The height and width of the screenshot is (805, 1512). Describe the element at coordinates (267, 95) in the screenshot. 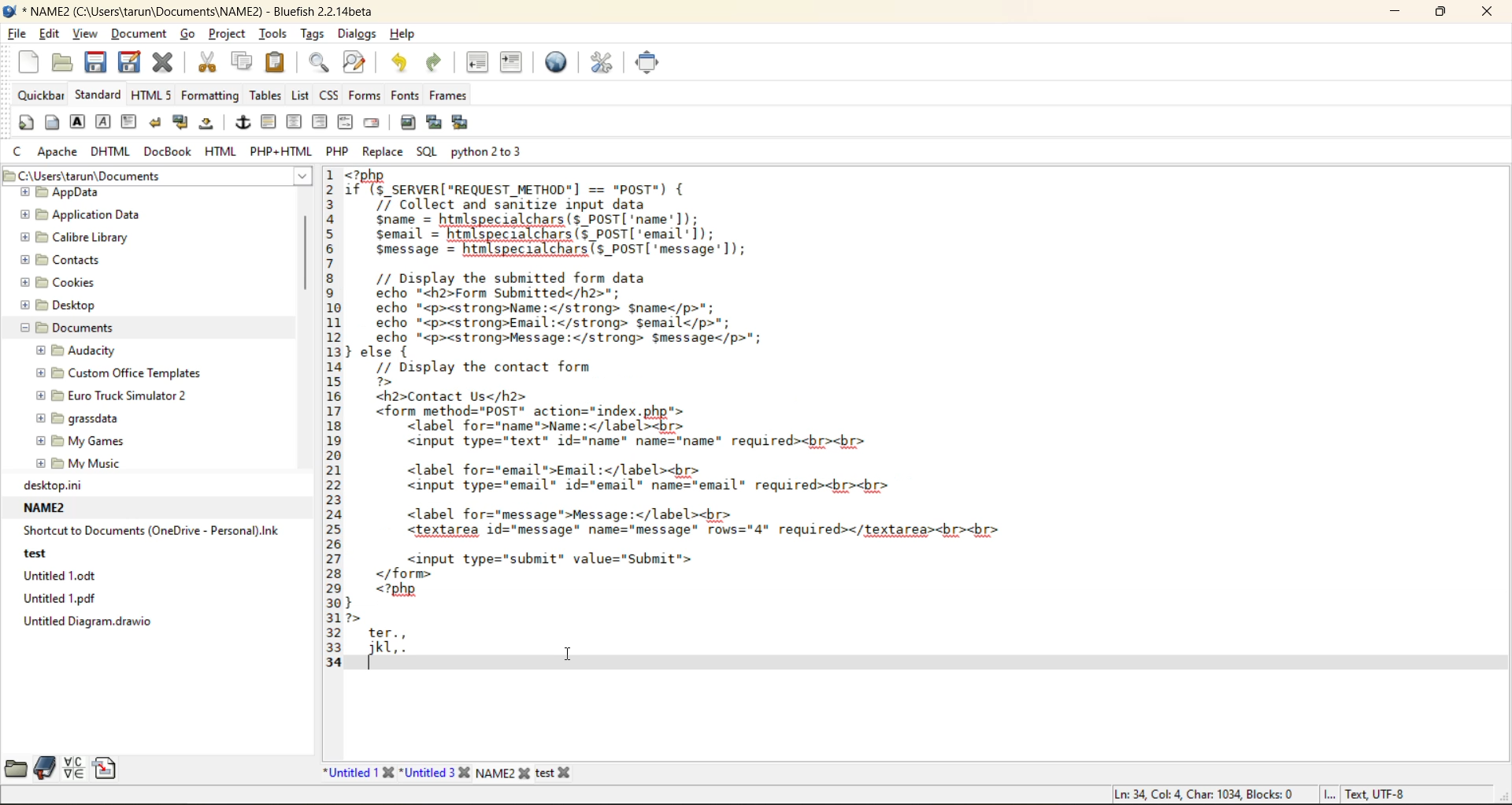

I see `tables` at that location.